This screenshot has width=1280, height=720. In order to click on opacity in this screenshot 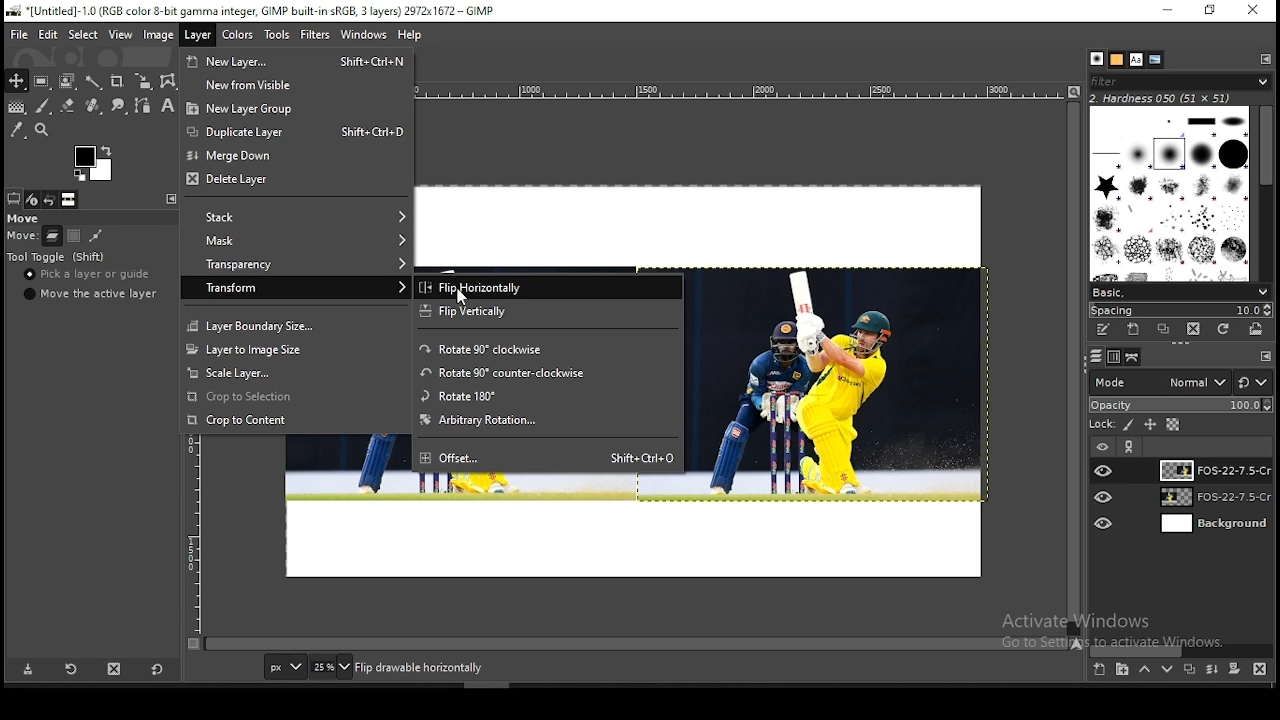, I will do `click(1180, 406)`.